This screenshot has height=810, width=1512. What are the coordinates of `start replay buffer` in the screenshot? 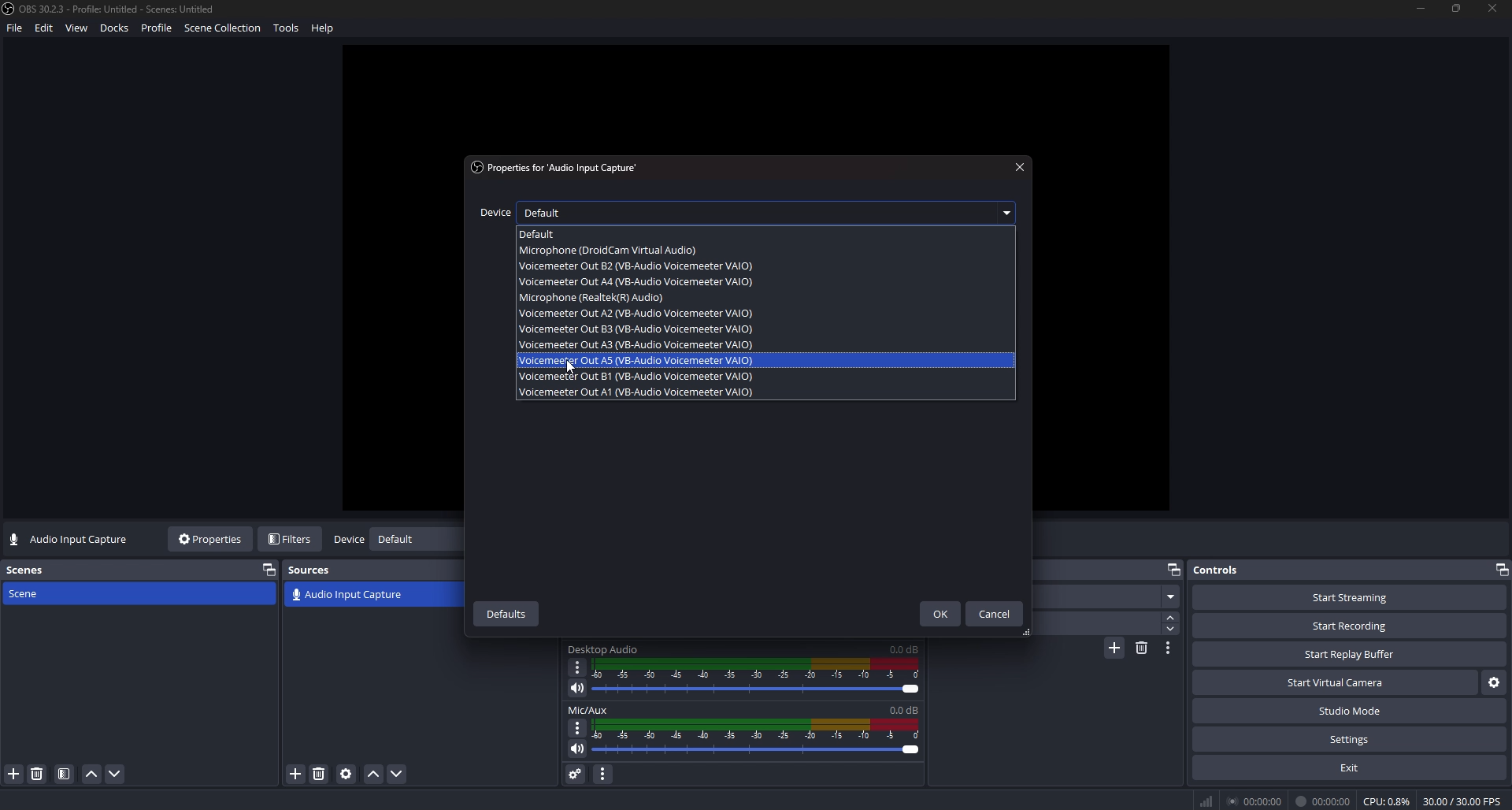 It's located at (1351, 655).